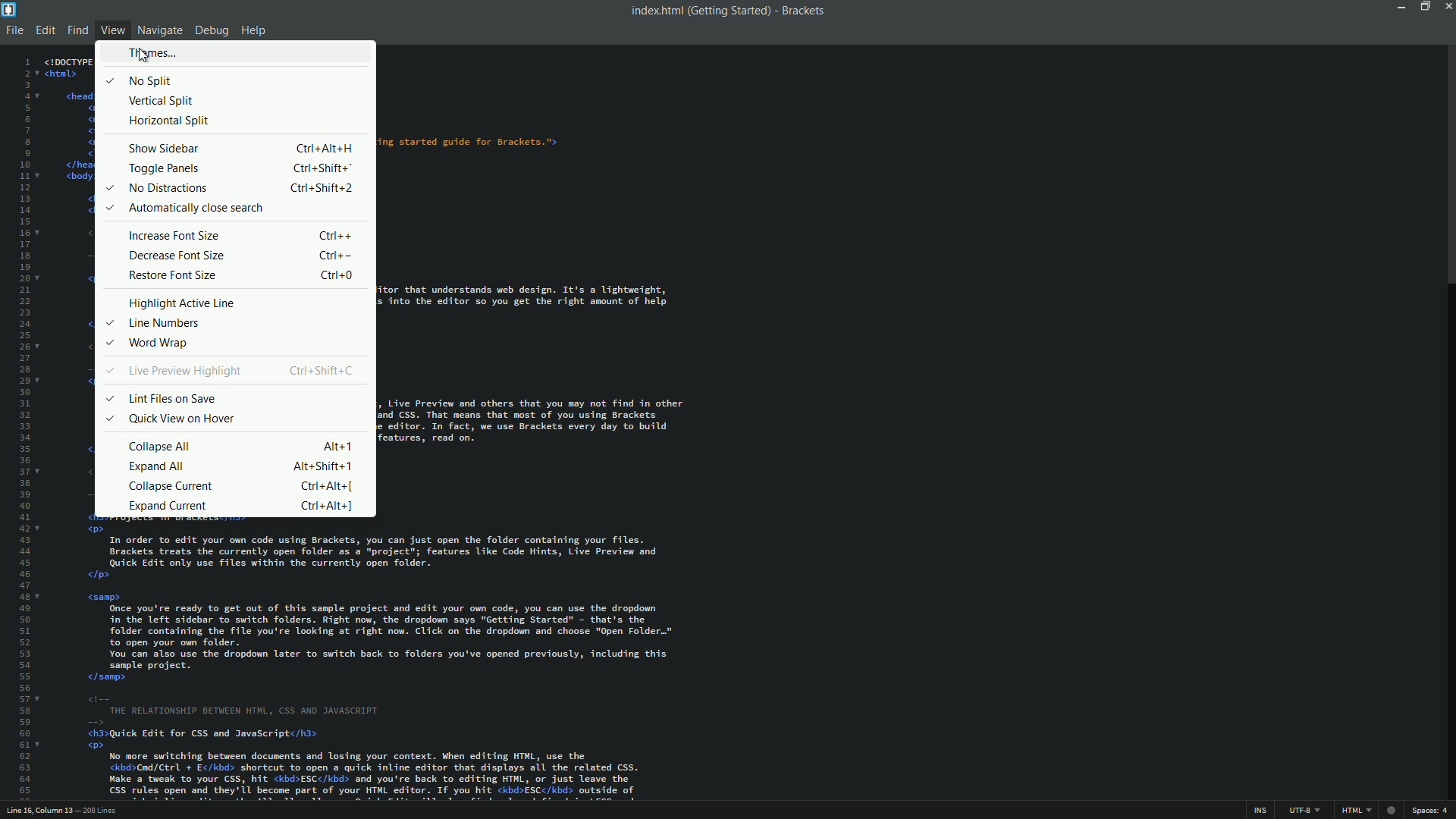  I want to click on scroll bar, so click(1447, 168).